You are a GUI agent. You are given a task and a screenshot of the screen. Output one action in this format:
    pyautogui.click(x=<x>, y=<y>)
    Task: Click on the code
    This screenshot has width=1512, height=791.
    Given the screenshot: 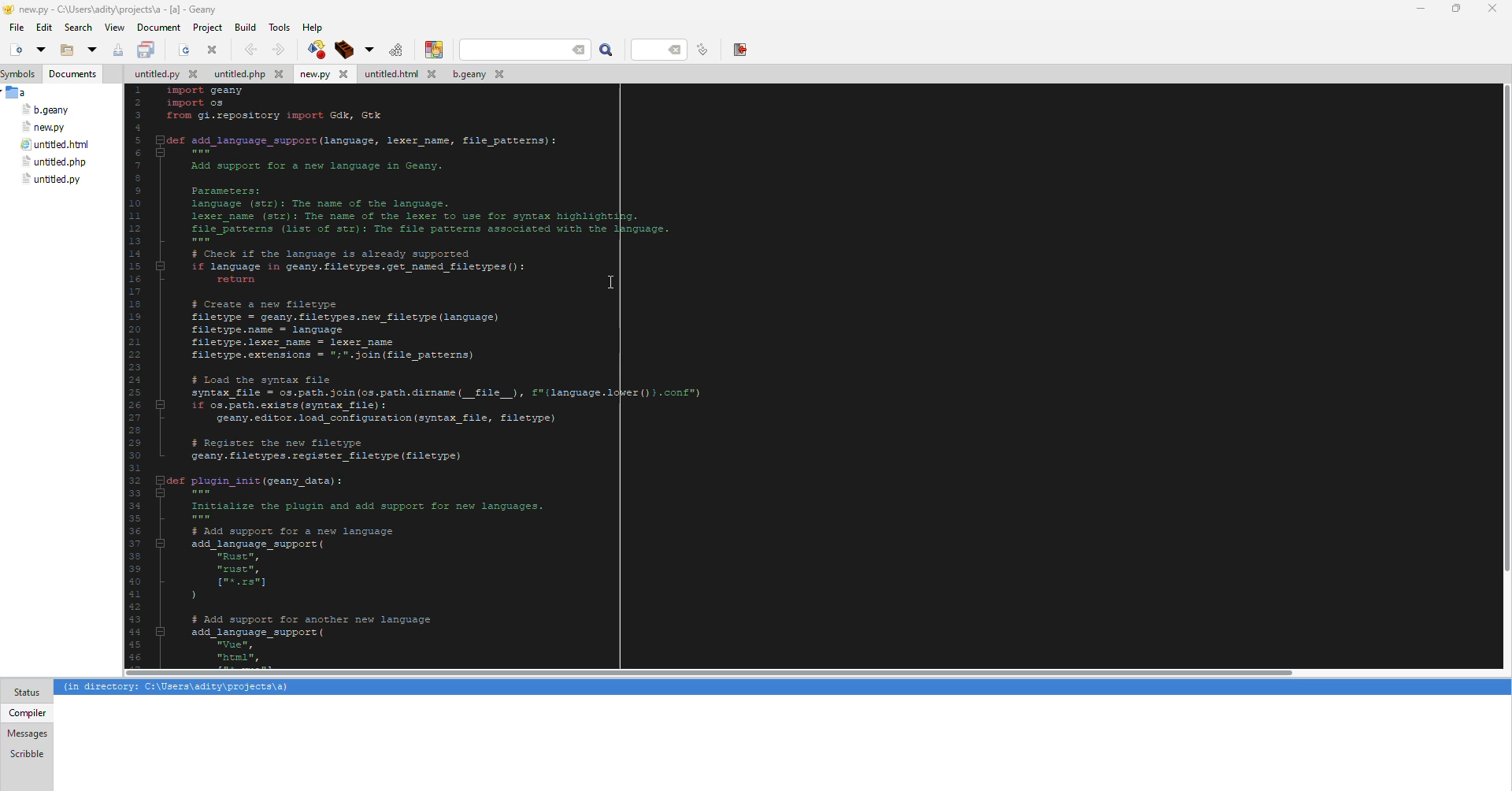 What is the action you would take?
    pyautogui.click(x=420, y=371)
    